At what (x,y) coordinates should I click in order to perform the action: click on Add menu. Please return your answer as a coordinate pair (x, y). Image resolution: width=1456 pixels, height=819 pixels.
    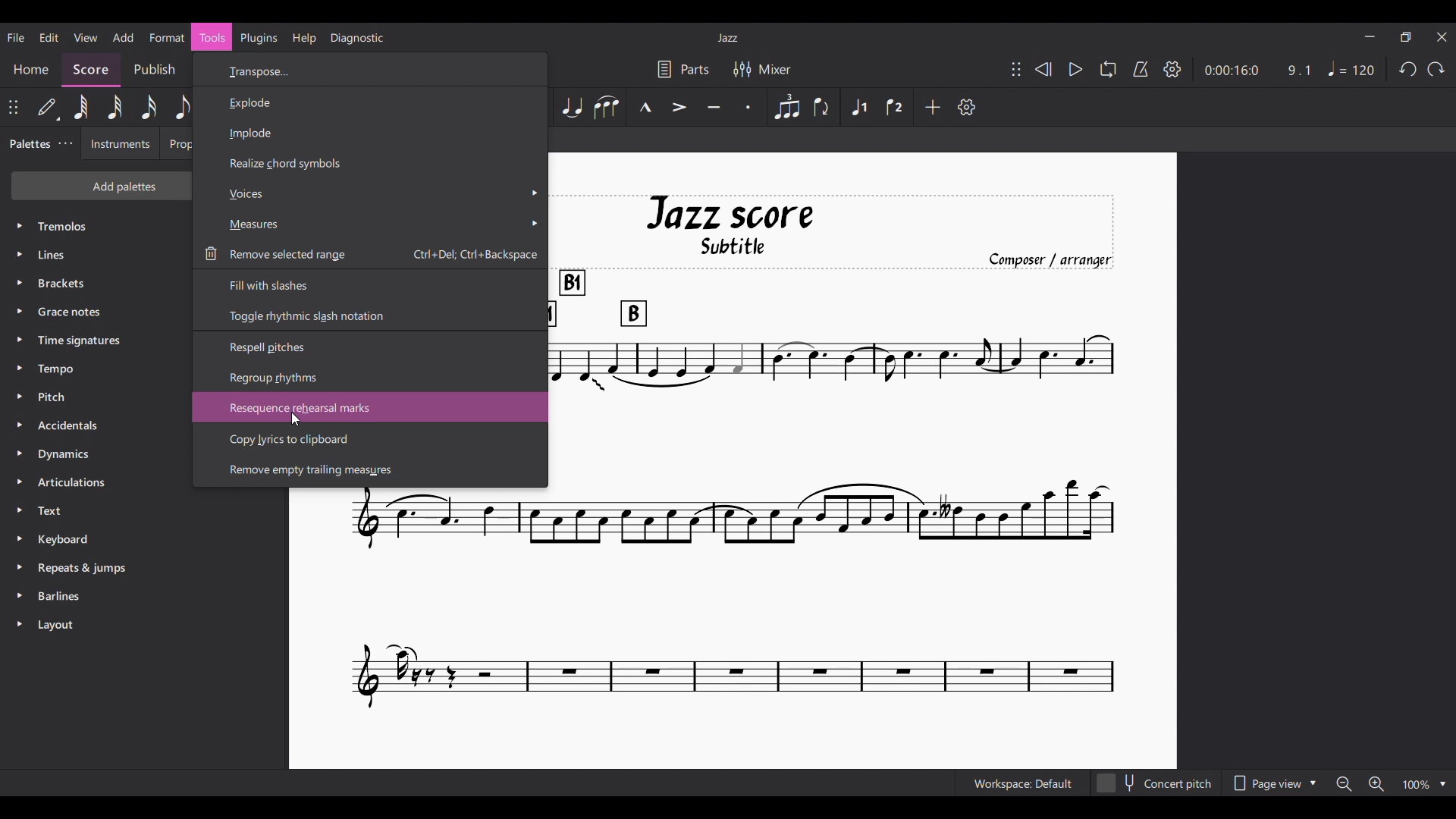
    Looking at the image, I should click on (123, 37).